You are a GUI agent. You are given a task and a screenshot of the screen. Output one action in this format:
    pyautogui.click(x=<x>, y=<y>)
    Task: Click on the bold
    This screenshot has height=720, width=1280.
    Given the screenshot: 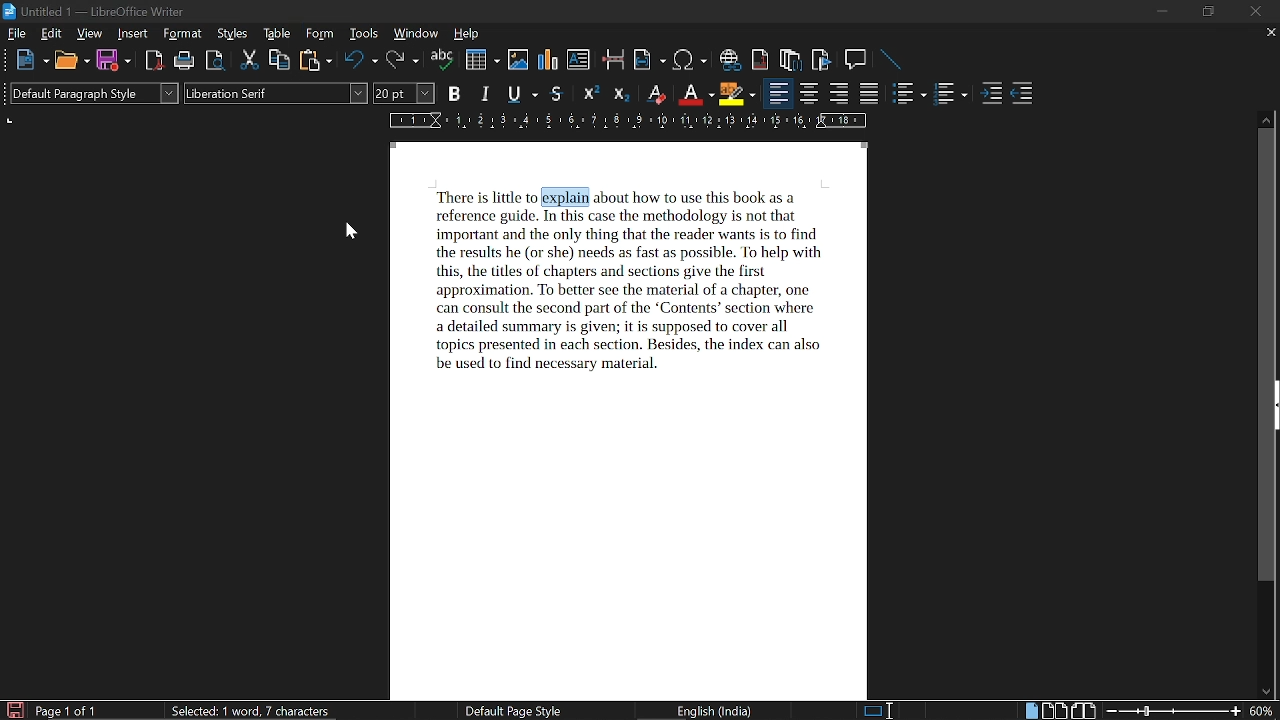 What is the action you would take?
    pyautogui.click(x=455, y=94)
    